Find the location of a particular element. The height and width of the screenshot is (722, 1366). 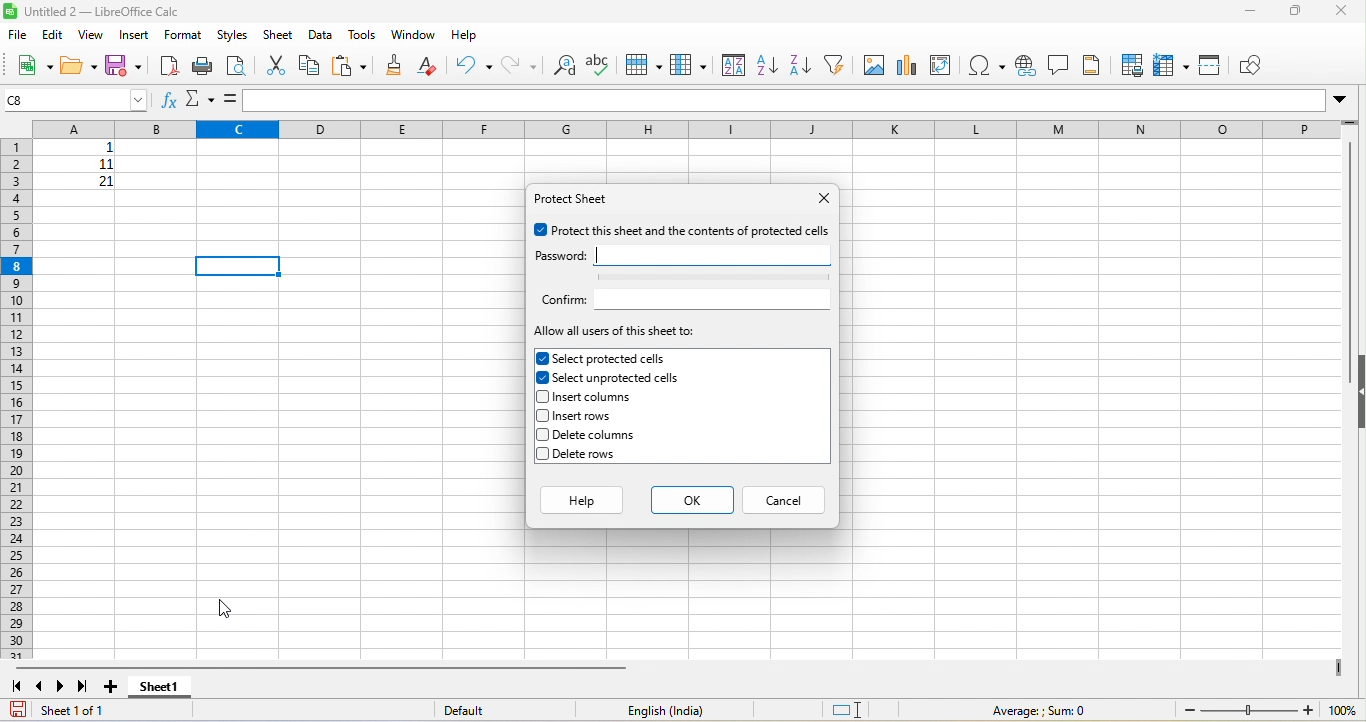

help is located at coordinates (583, 500).